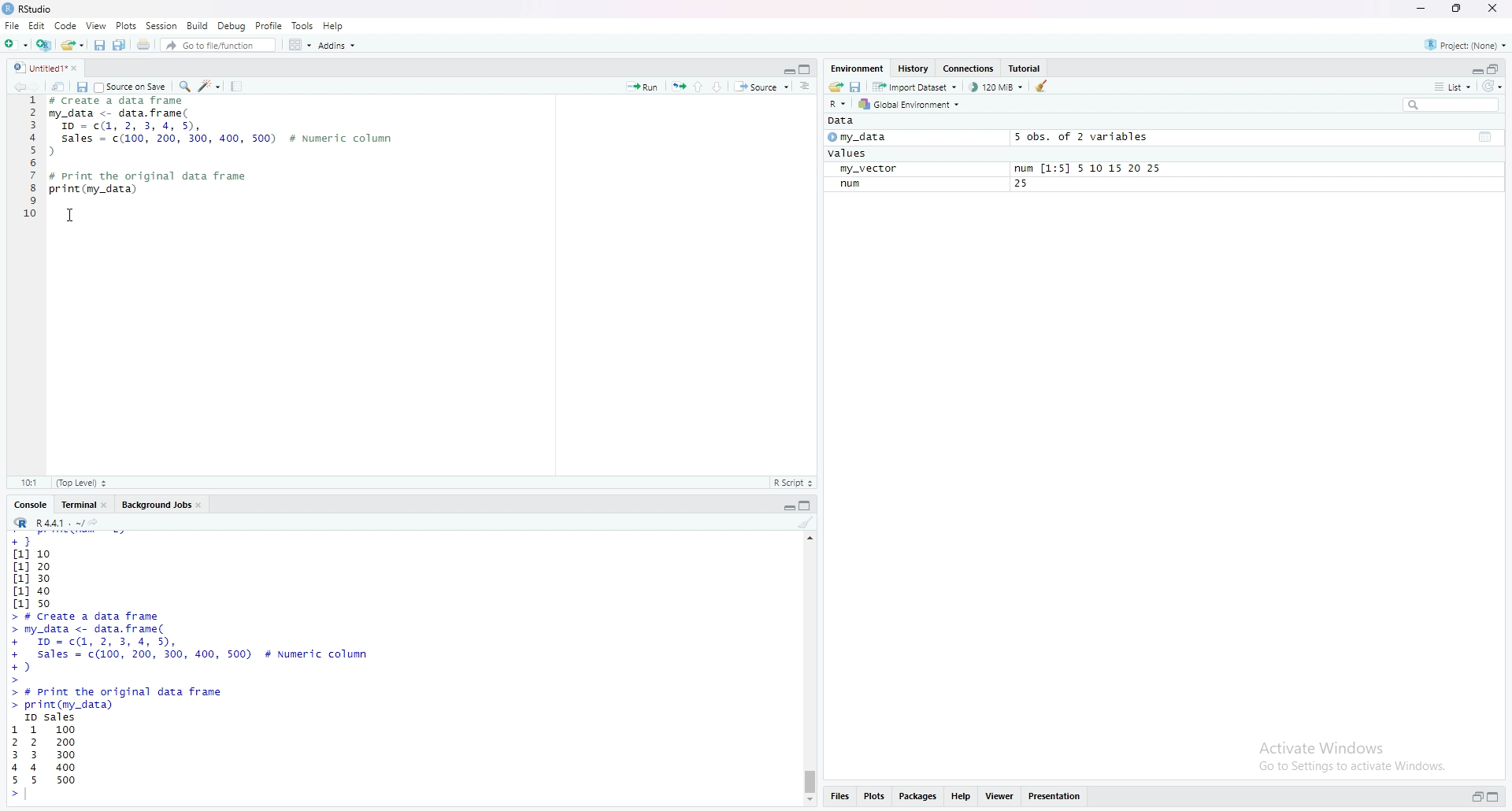 The width and height of the screenshot is (1512, 811). What do you see at coordinates (831, 139) in the screenshot?
I see `play` at bounding box center [831, 139].